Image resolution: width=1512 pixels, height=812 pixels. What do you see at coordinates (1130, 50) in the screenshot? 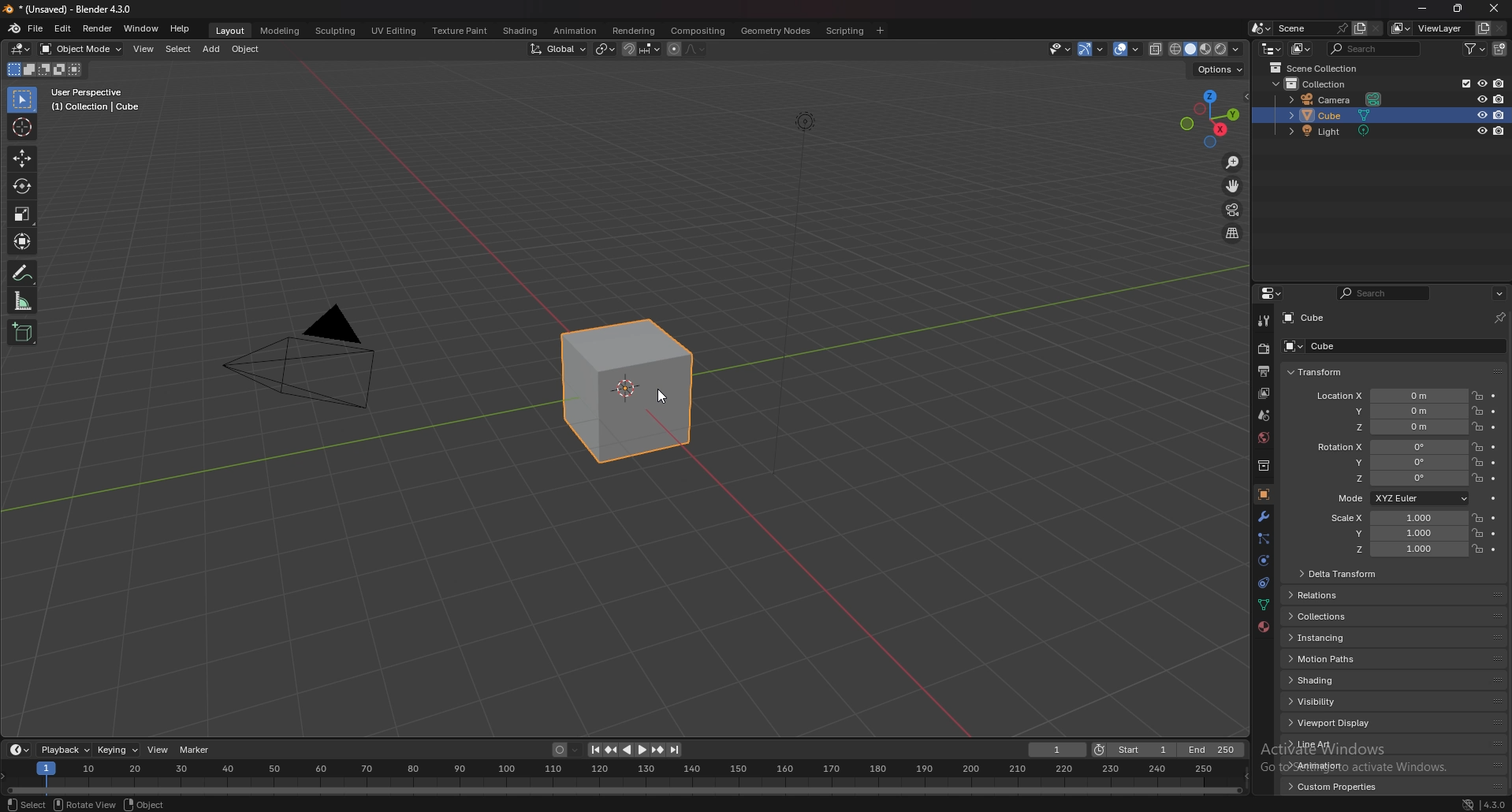
I see `show overlays` at bounding box center [1130, 50].